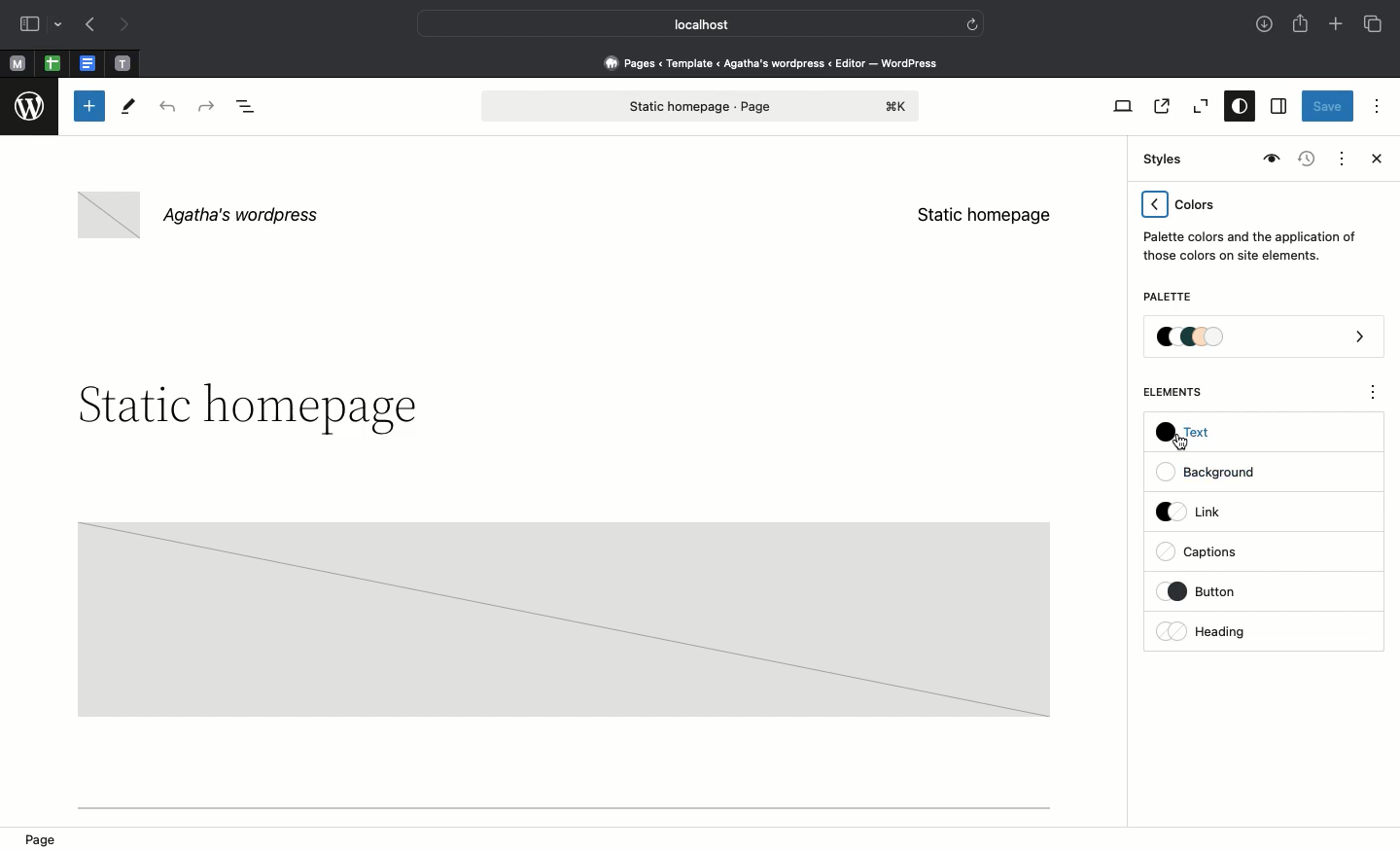 The image size is (1400, 850). I want to click on Share, so click(1302, 23).